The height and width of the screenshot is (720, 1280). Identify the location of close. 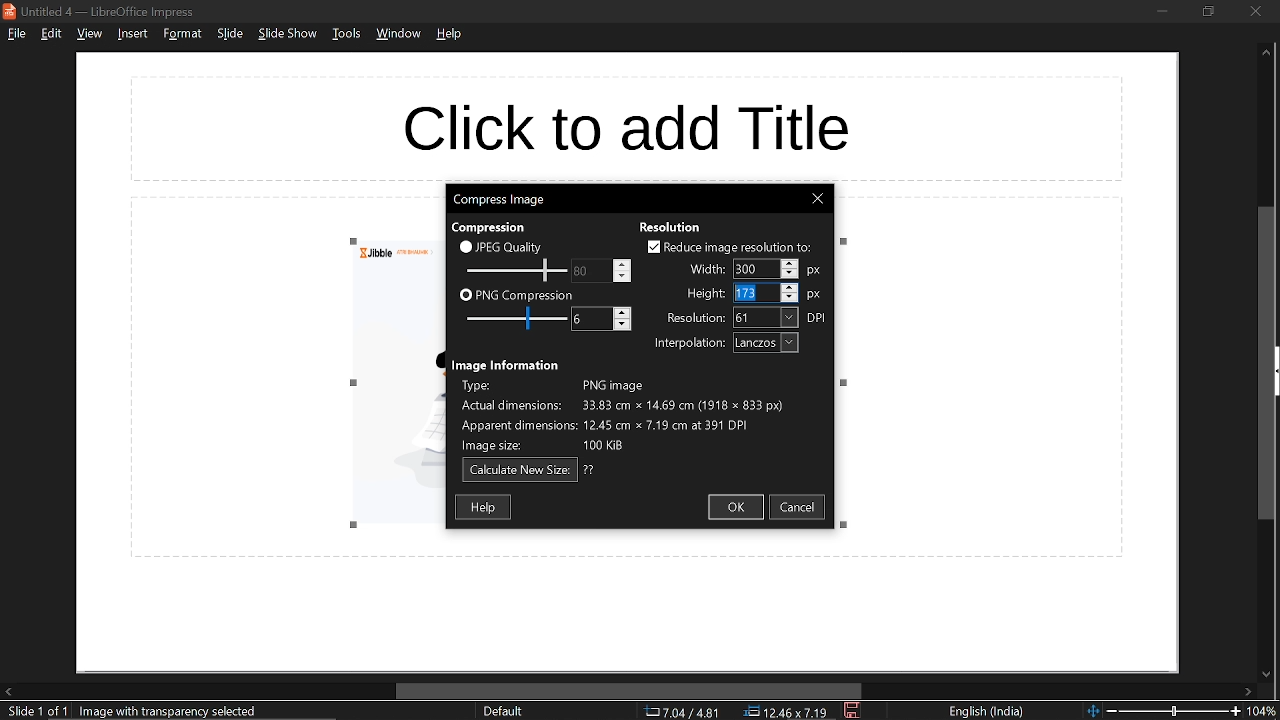
(819, 199).